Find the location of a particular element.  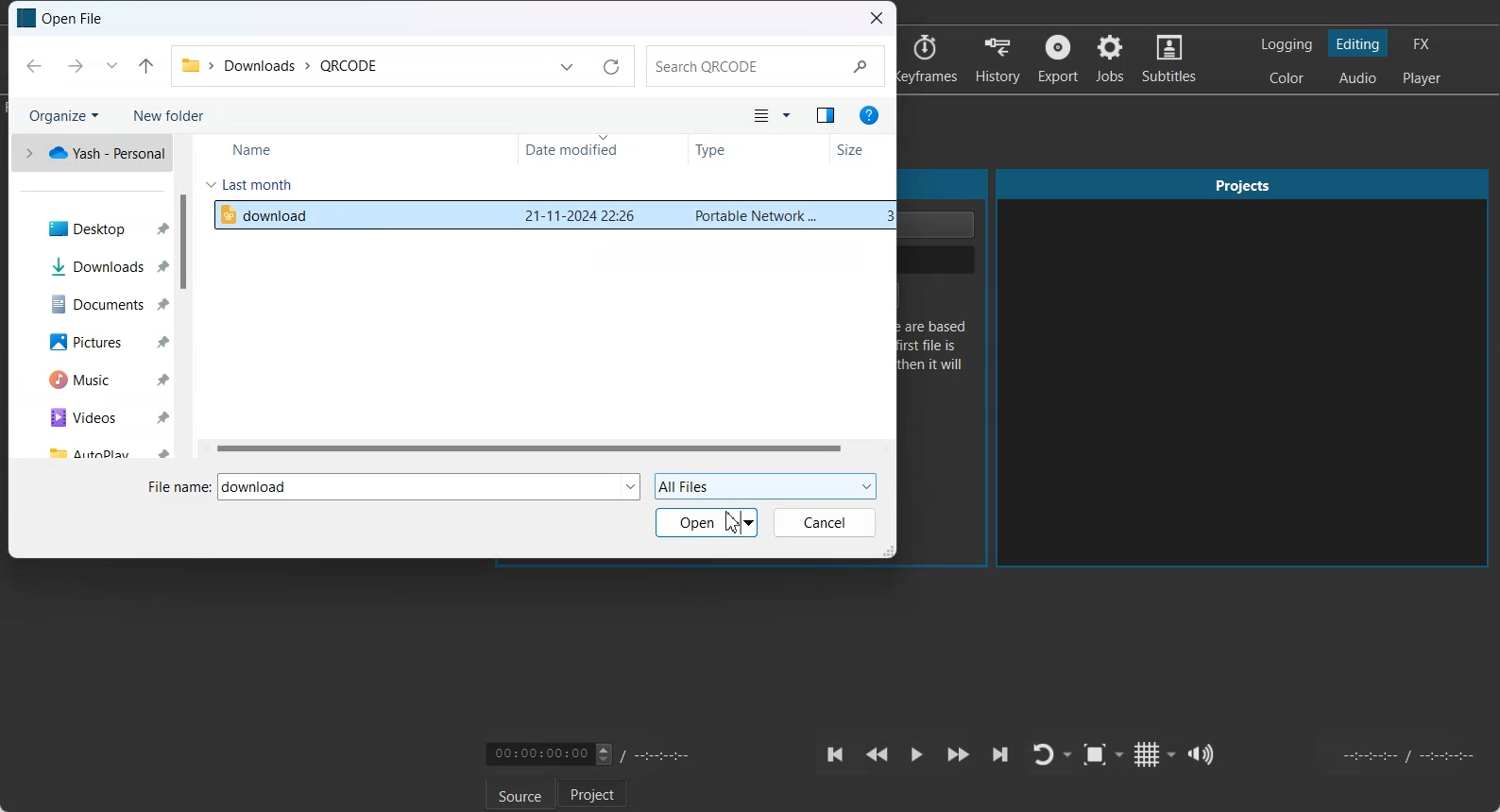

Date Modified is located at coordinates (572, 146).